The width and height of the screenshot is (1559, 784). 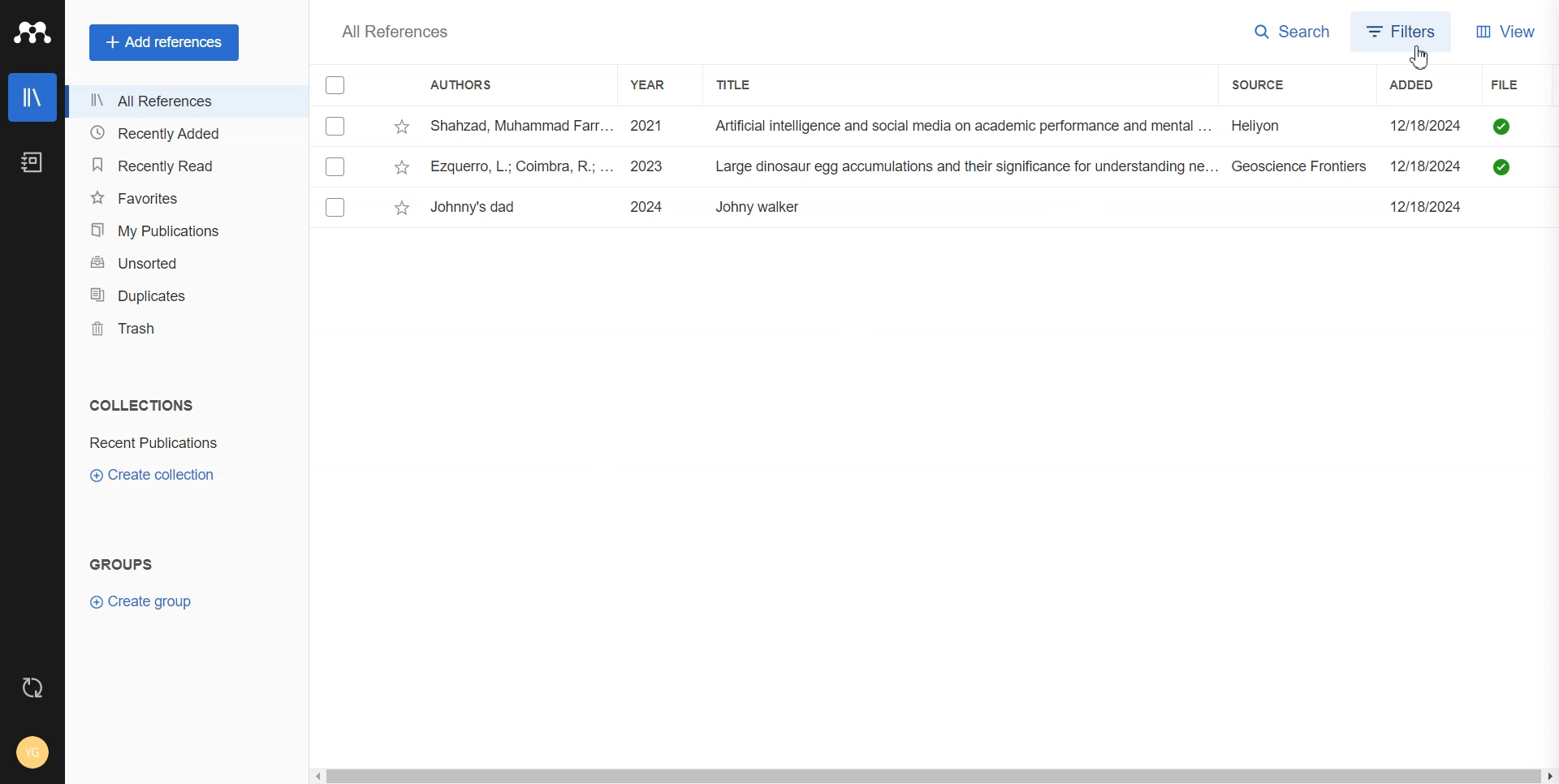 I want to click on Authors, so click(x=469, y=86).